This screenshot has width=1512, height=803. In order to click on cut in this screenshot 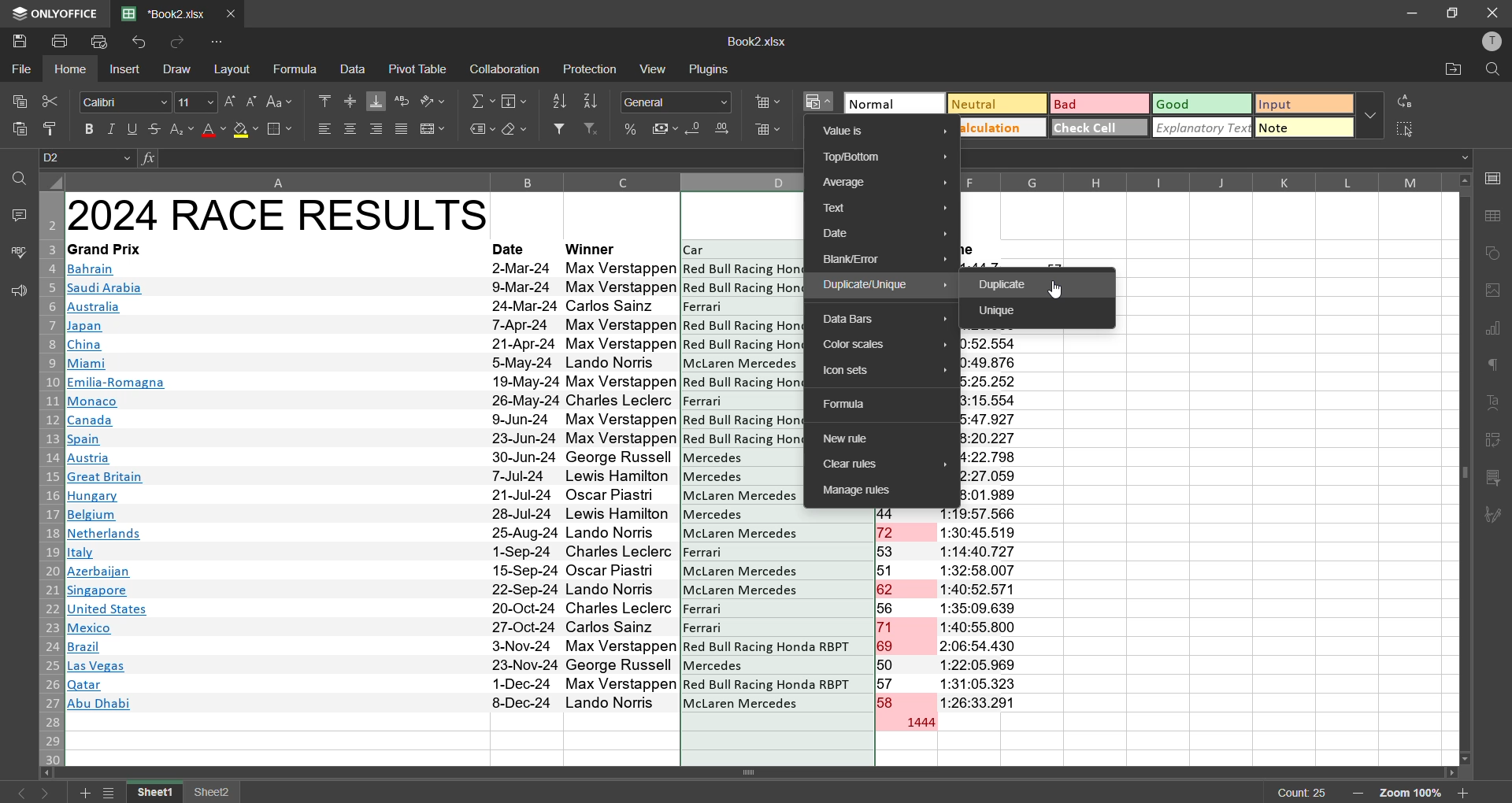, I will do `click(48, 101)`.